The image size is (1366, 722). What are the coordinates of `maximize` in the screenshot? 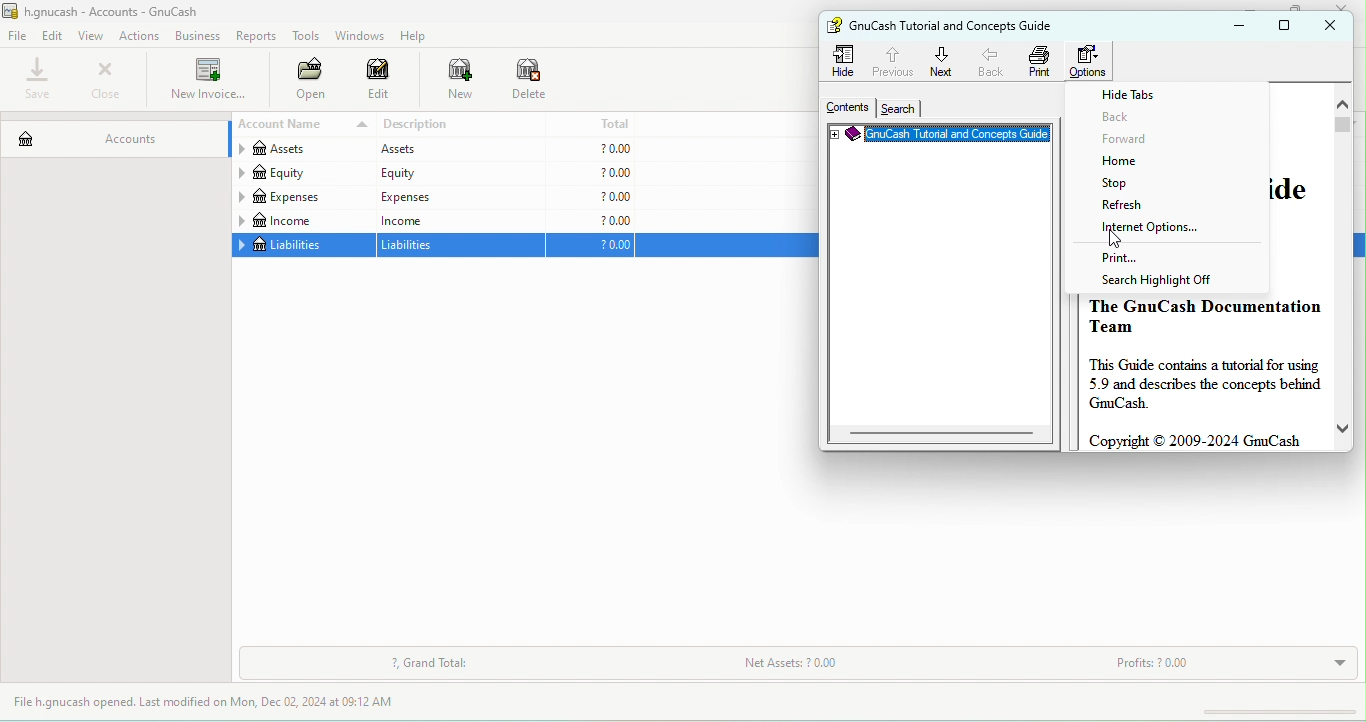 It's located at (1292, 7).